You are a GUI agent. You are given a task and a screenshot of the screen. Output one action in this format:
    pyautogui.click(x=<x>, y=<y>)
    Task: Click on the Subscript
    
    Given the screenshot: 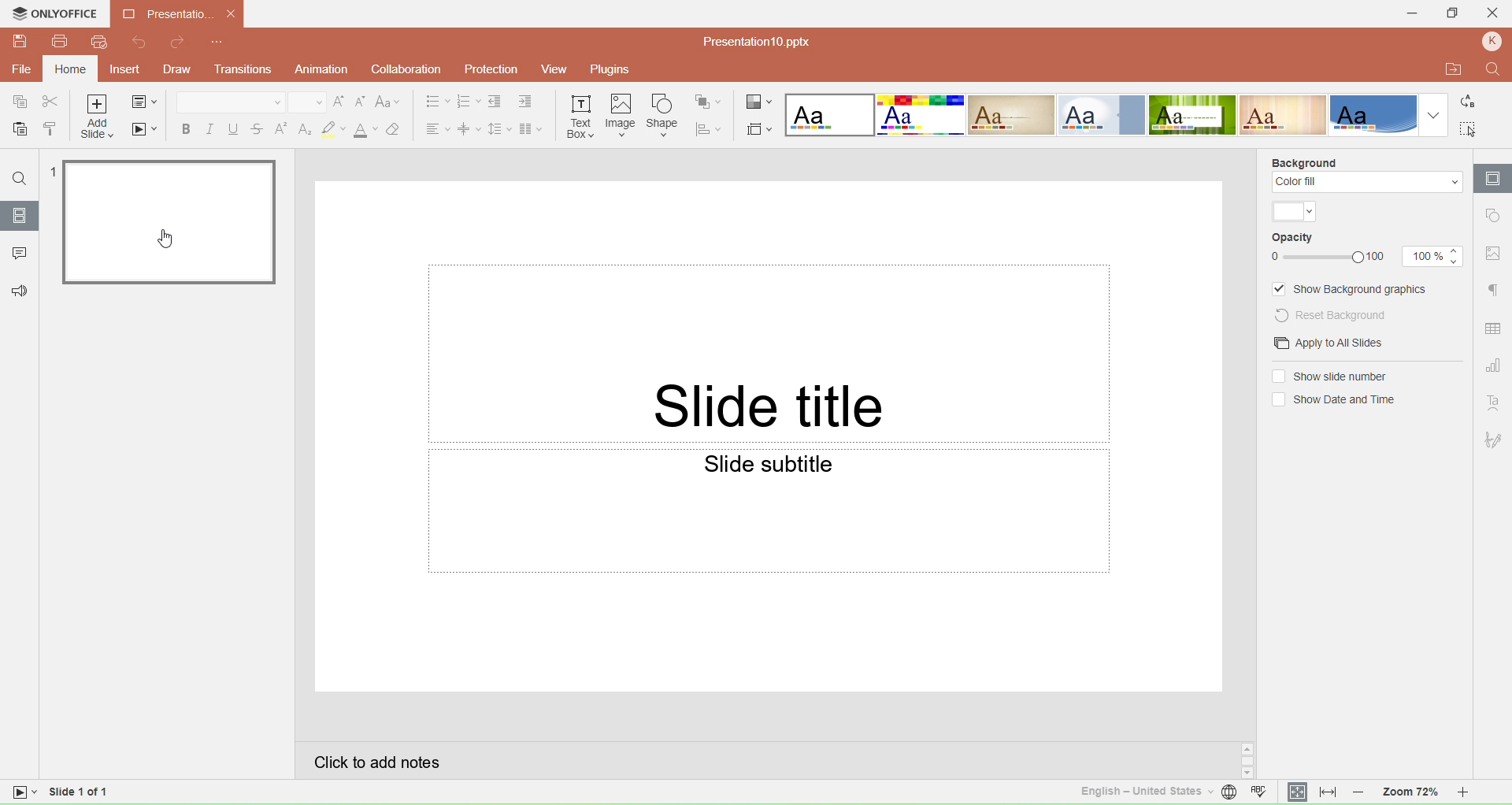 What is the action you would take?
    pyautogui.click(x=304, y=128)
    